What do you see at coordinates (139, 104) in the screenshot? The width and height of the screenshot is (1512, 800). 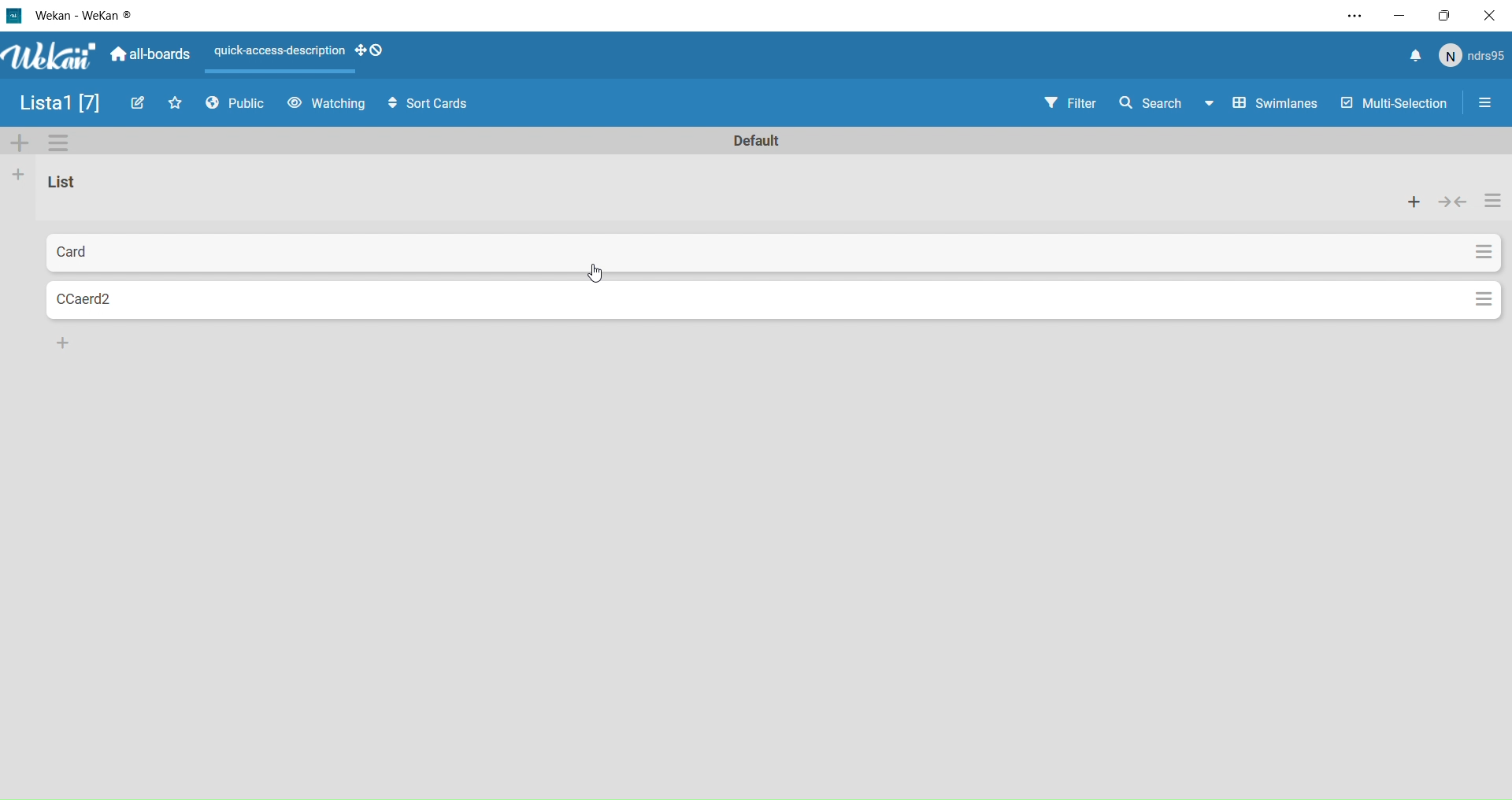 I see `Edit` at bounding box center [139, 104].